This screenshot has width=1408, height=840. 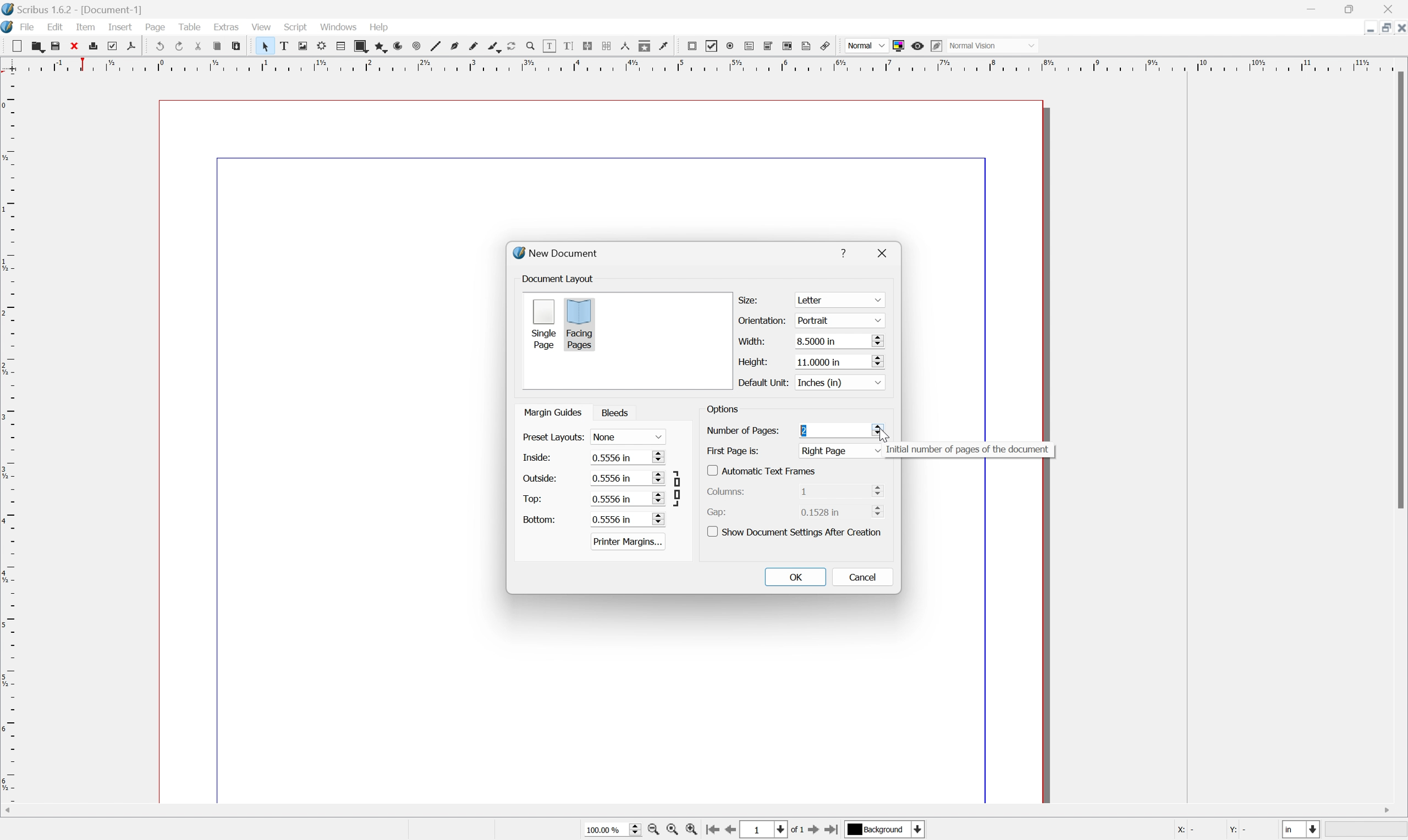 I want to click on columns:, so click(x=730, y=490).